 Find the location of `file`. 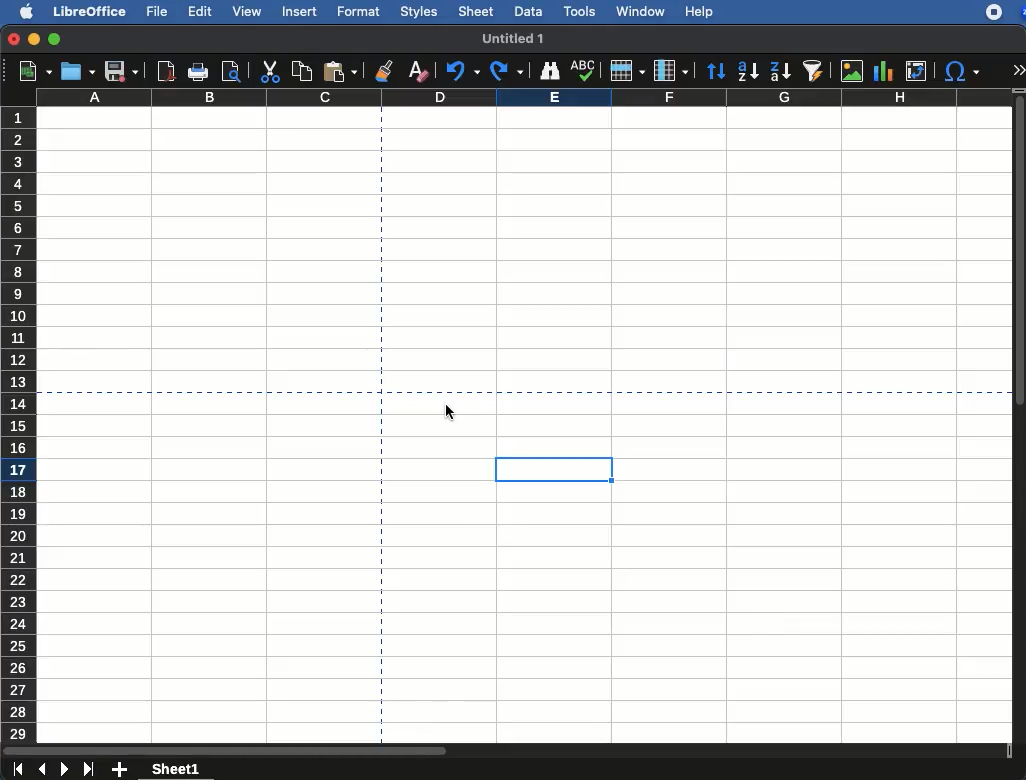

file is located at coordinates (155, 11).